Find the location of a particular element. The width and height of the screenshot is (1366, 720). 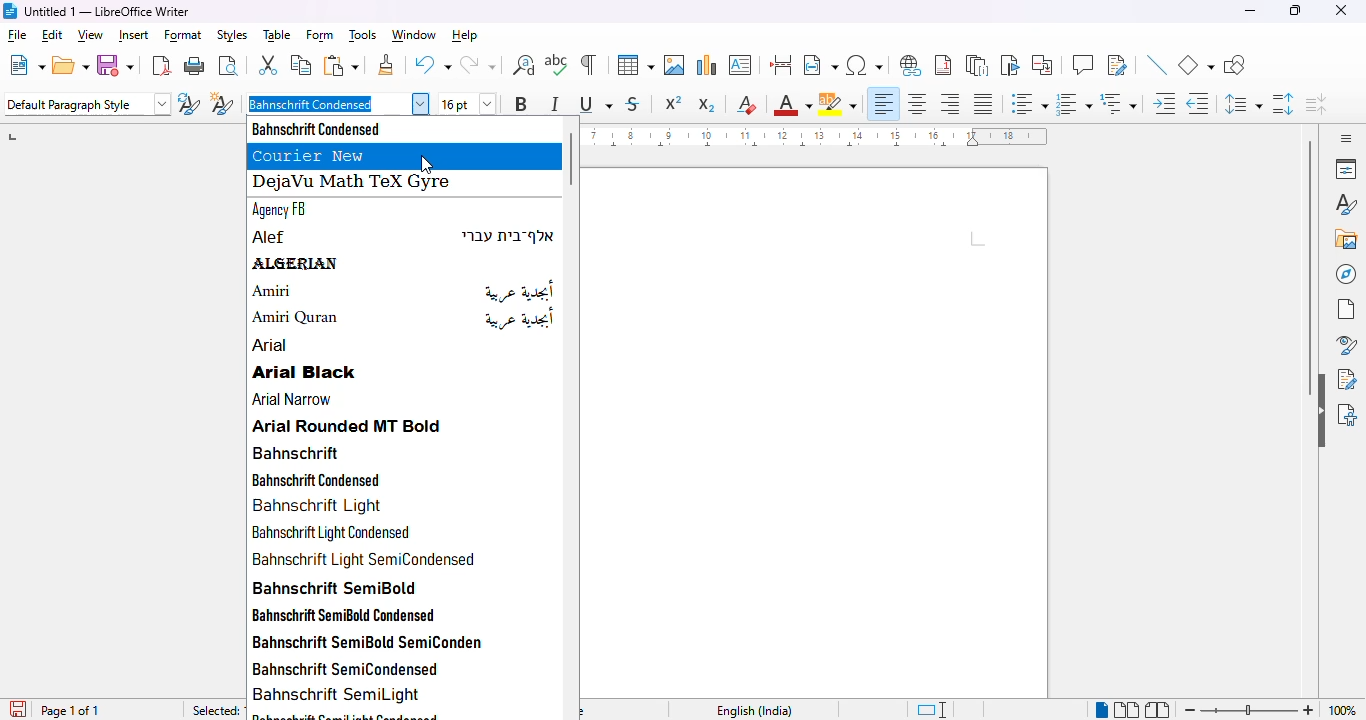

strikethrough is located at coordinates (634, 104).